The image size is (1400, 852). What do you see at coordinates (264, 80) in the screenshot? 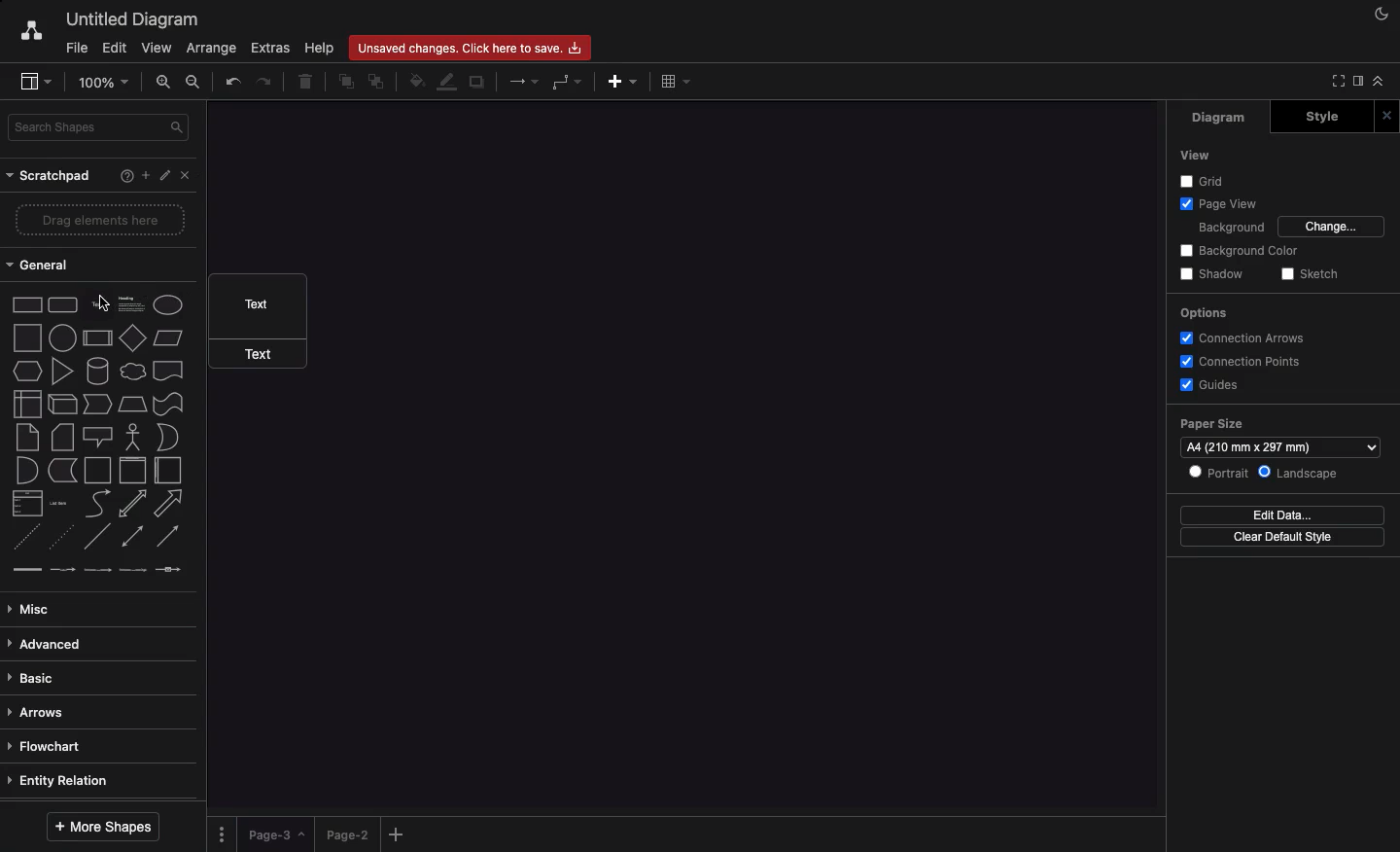
I see `Redo` at bounding box center [264, 80].